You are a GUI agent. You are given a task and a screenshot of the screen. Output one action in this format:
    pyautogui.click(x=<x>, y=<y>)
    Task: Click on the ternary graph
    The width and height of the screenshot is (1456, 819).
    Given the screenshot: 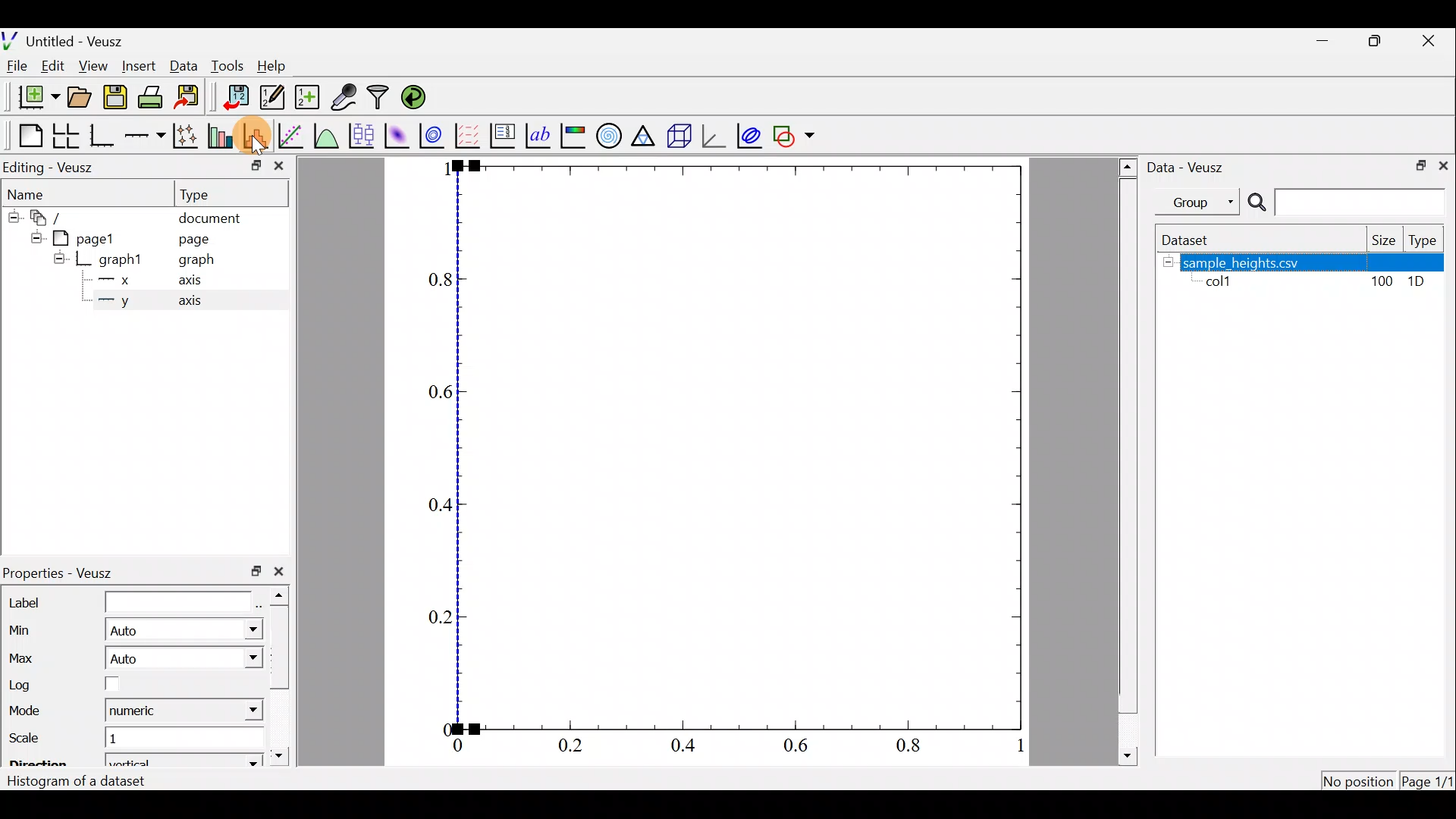 What is the action you would take?
    pyautogui.click(x=647, y=136)
    